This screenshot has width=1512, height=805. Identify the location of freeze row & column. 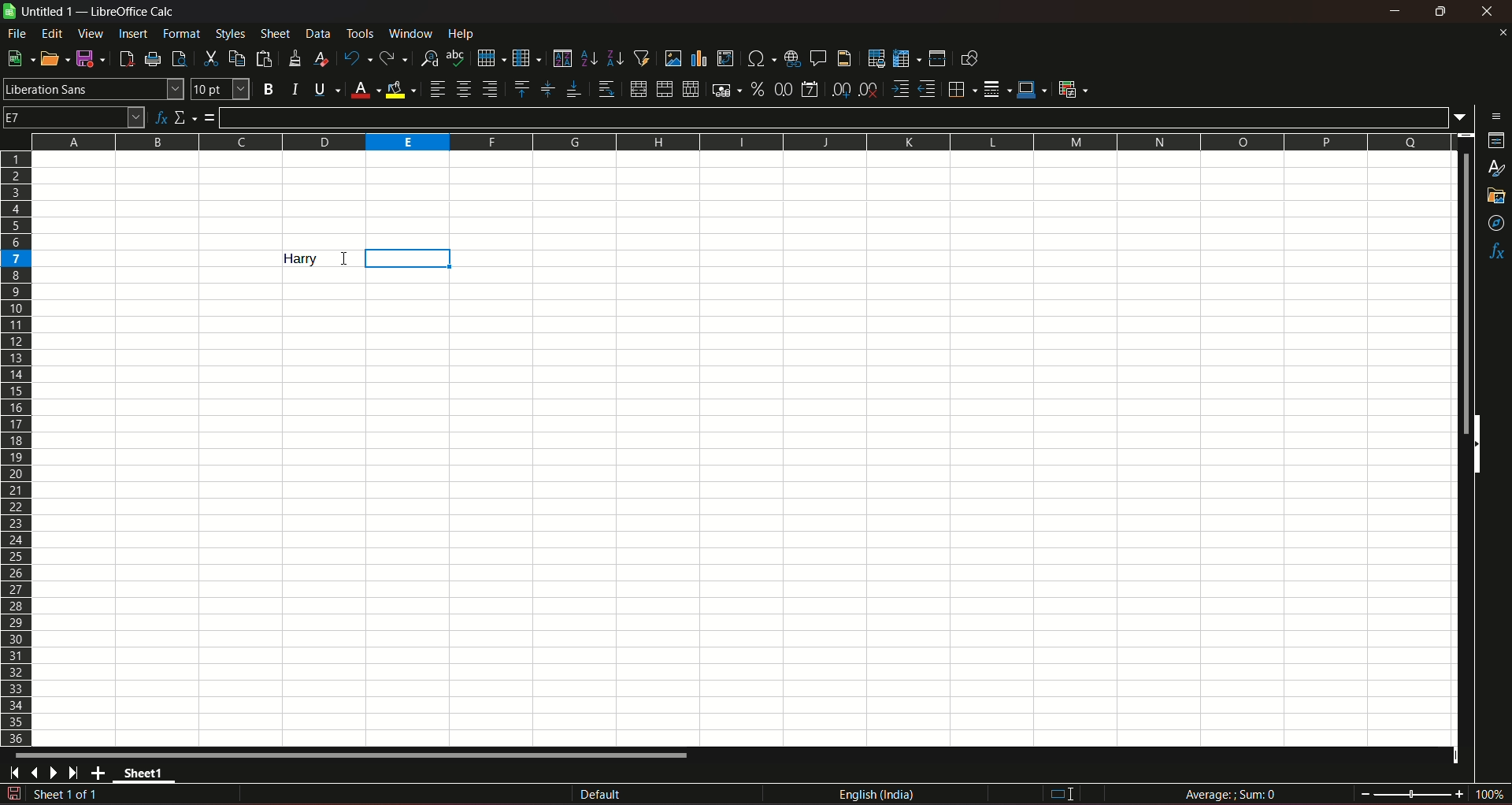
(906, 59).